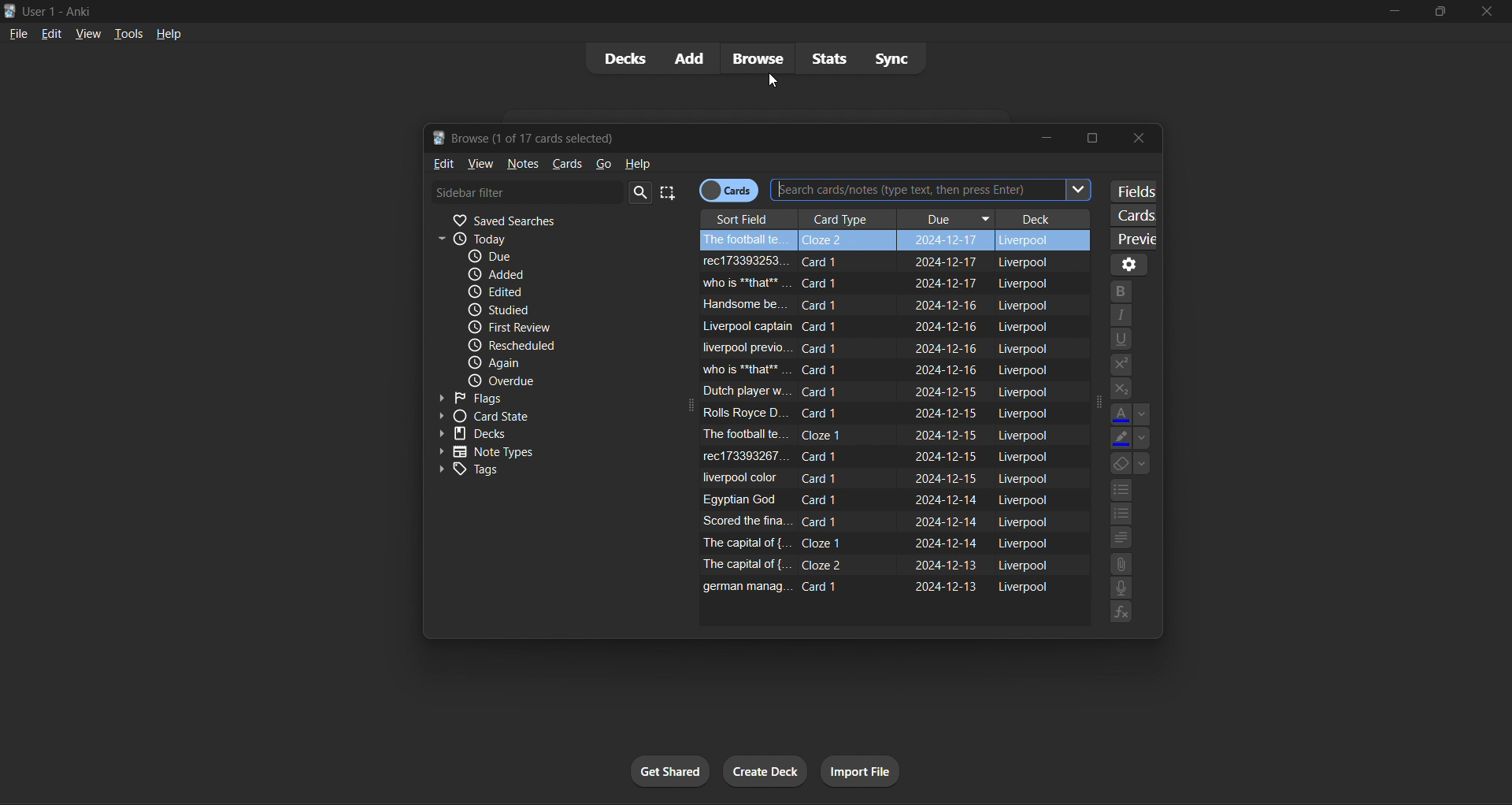 Image resolution: width=1512 pixels, height=805 pixels. Describe the element at coordinates (676, 773) in the screenshot. I see `get shared` at that location.